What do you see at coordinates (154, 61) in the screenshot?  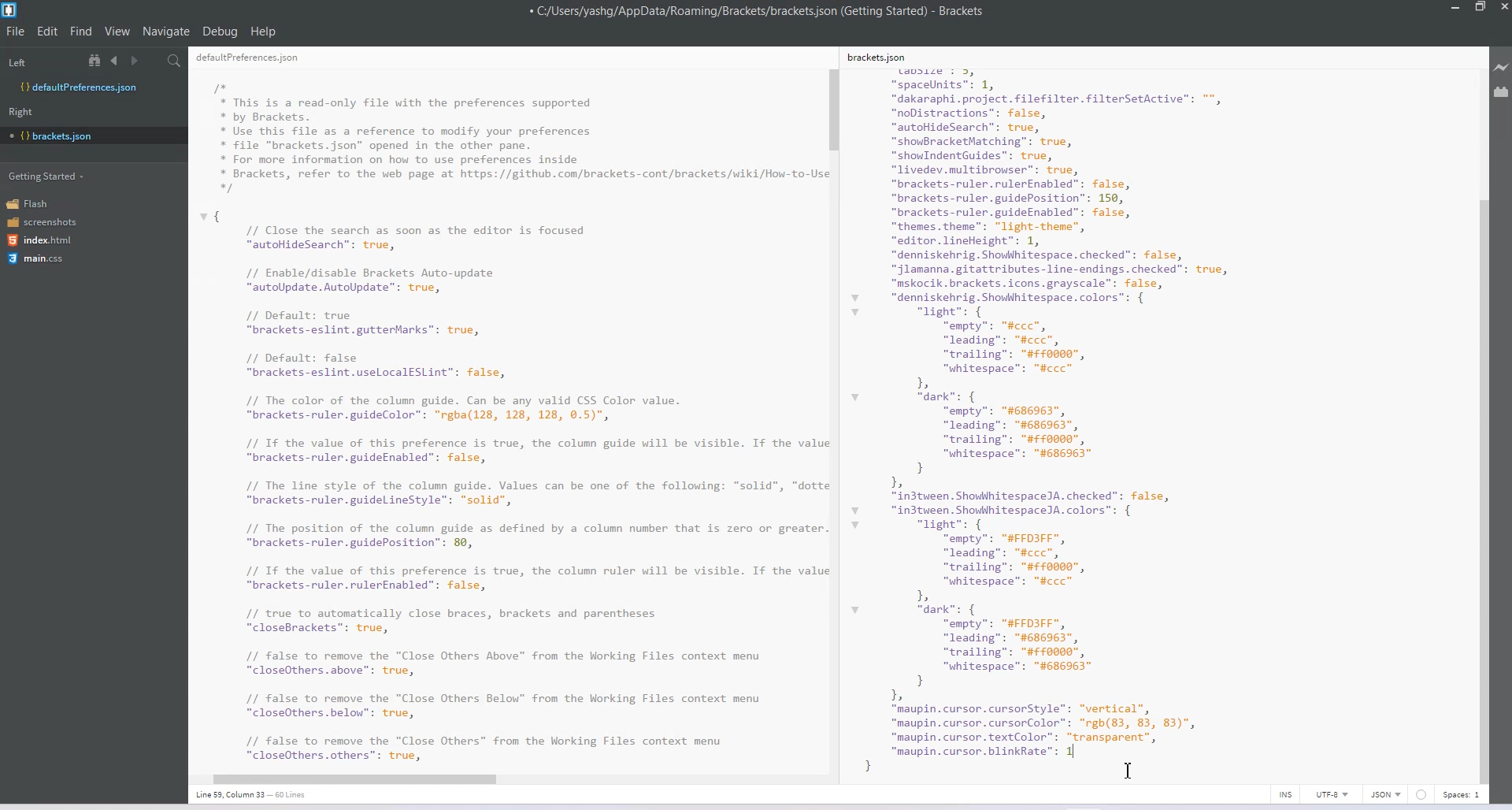 I see `Split editor vertically and Horizontally` at bounding box center [154, 61].